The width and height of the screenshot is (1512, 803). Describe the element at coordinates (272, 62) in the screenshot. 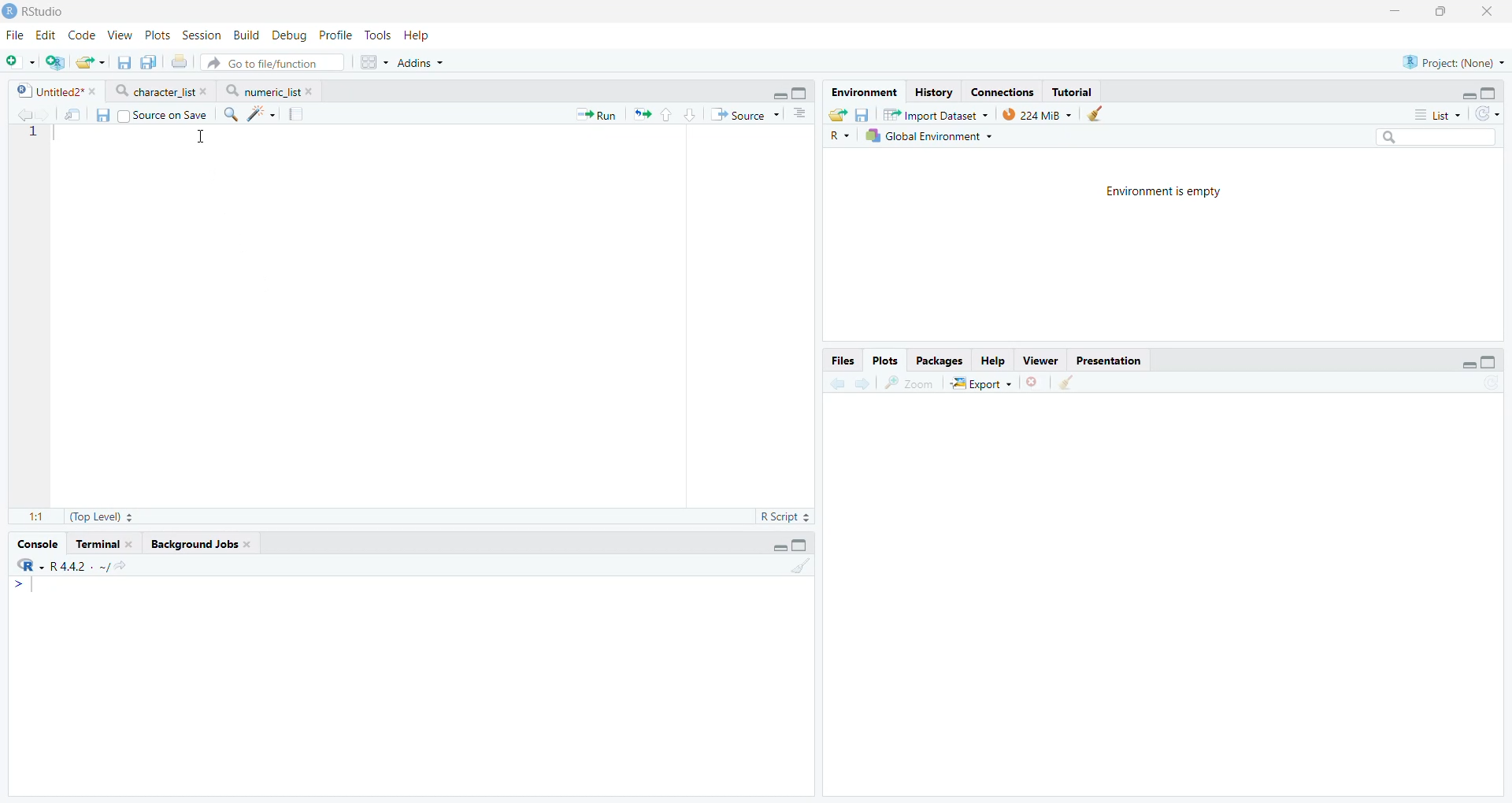

I see `Go to file/function` at that location.